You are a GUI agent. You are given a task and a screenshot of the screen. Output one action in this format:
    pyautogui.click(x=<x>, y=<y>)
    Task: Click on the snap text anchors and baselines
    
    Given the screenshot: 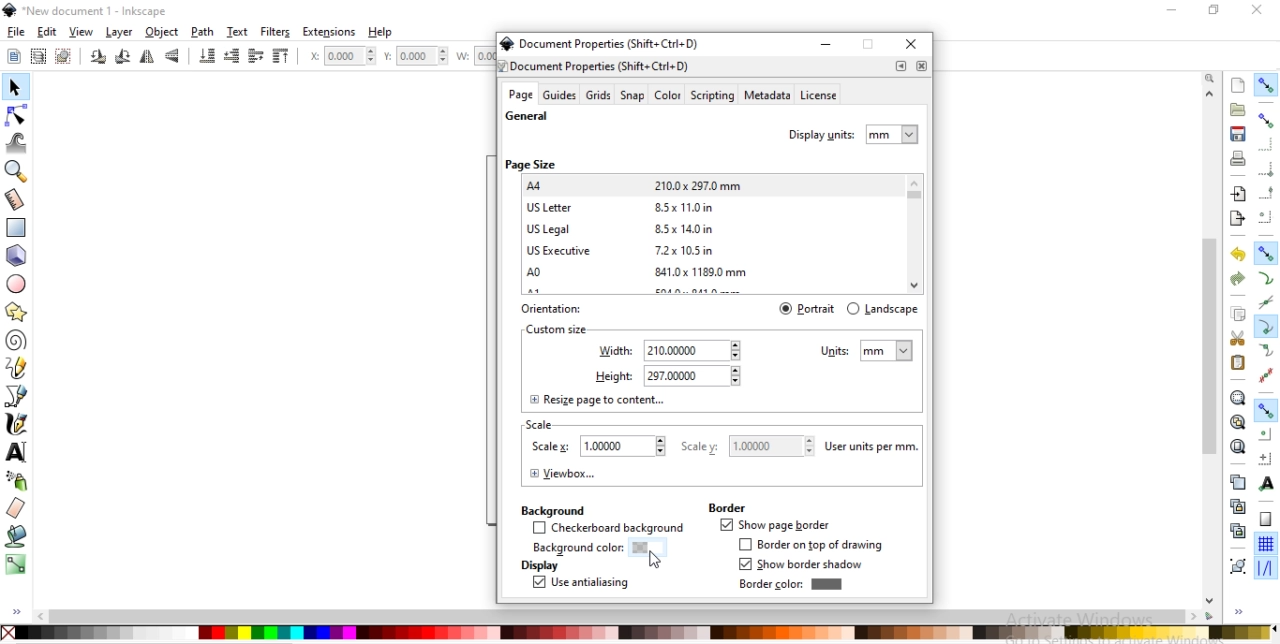 What is the action you would take?
    pyautogui.click(x=1264, y=483)
    